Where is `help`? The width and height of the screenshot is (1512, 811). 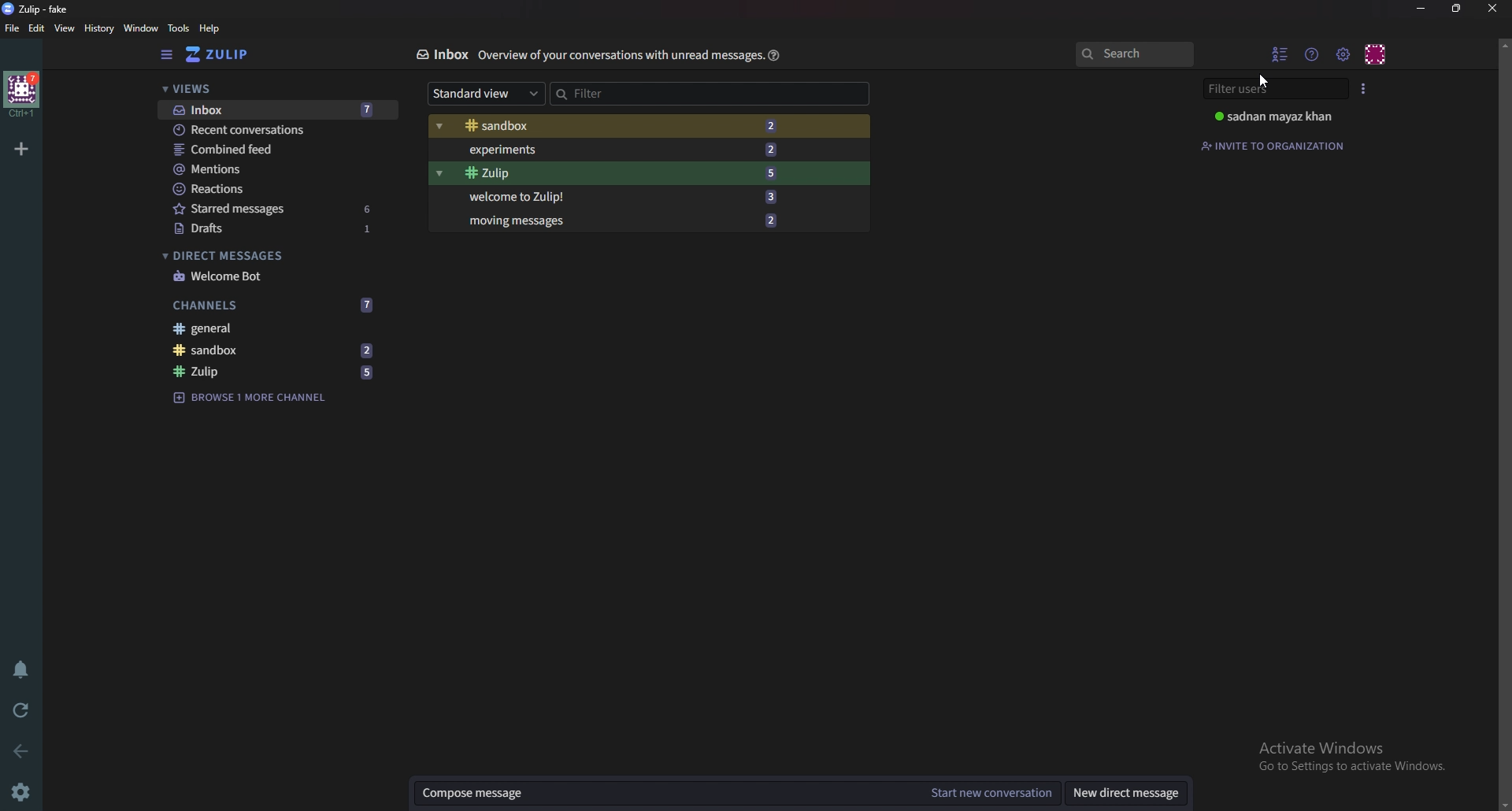
help is located at coordinates (775, 54).